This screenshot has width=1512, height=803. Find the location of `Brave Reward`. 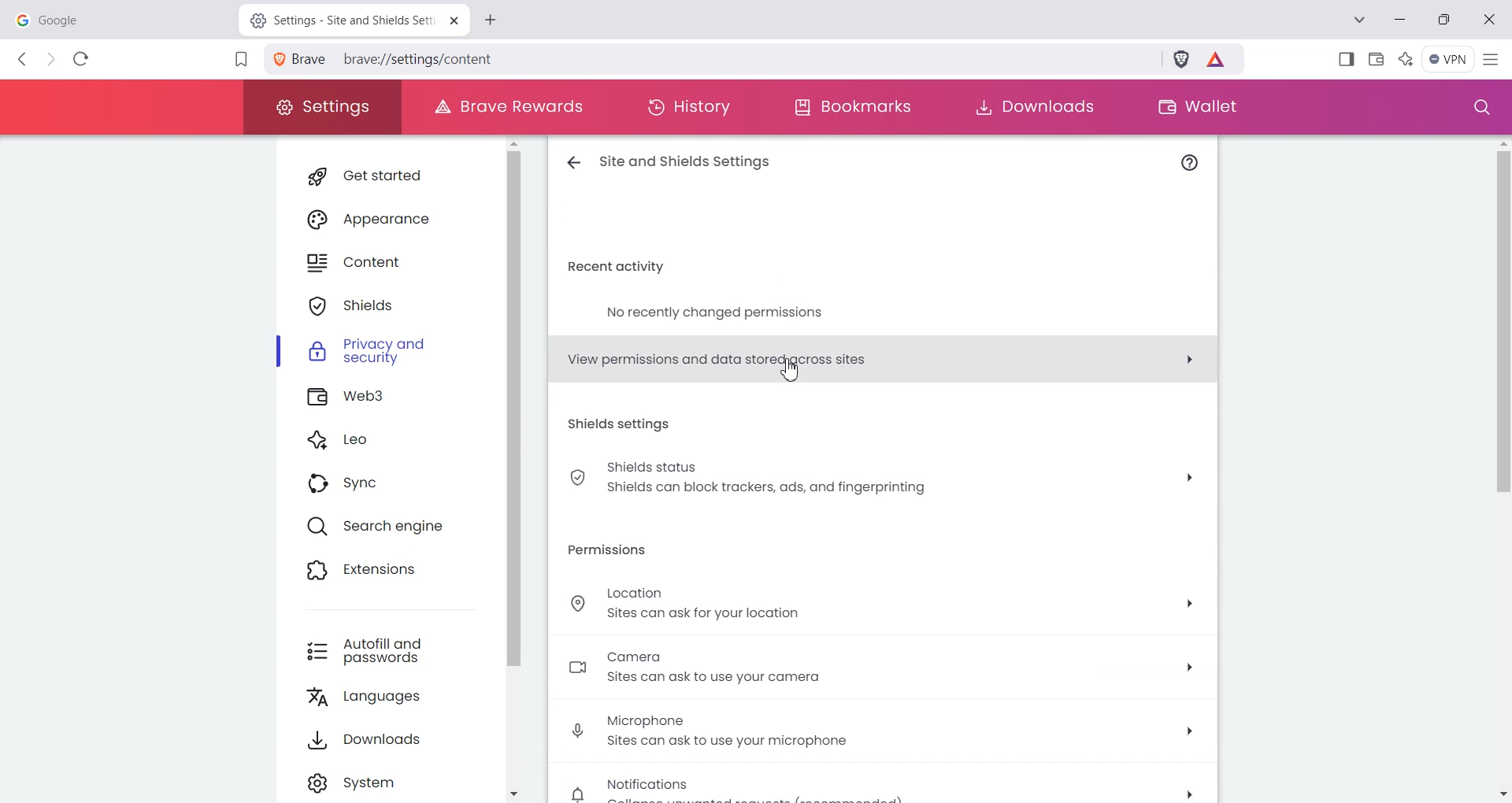

Brave Reward is located at coordinates (1217, 61).